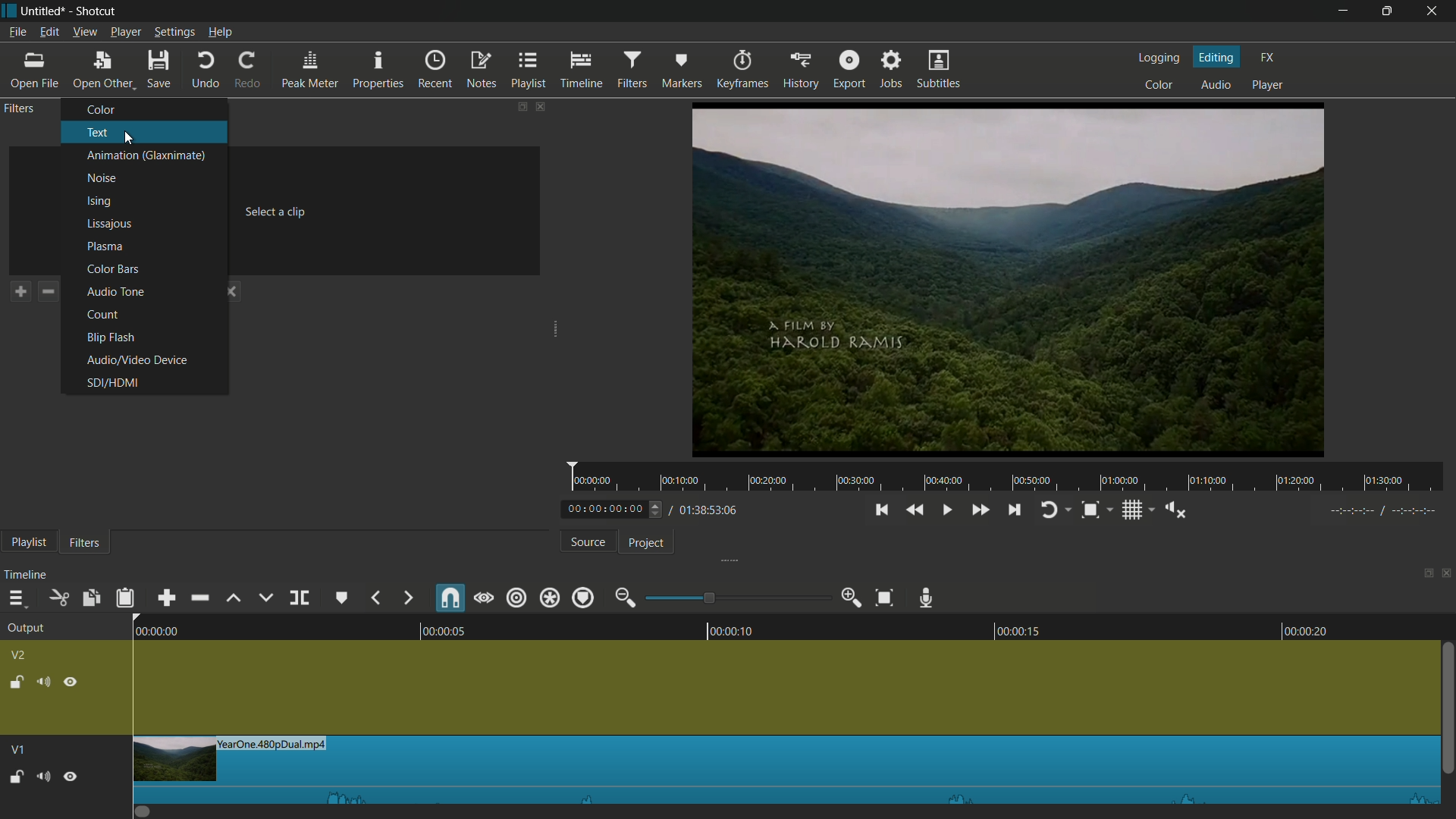  I want to click on export, so click(850, 70).